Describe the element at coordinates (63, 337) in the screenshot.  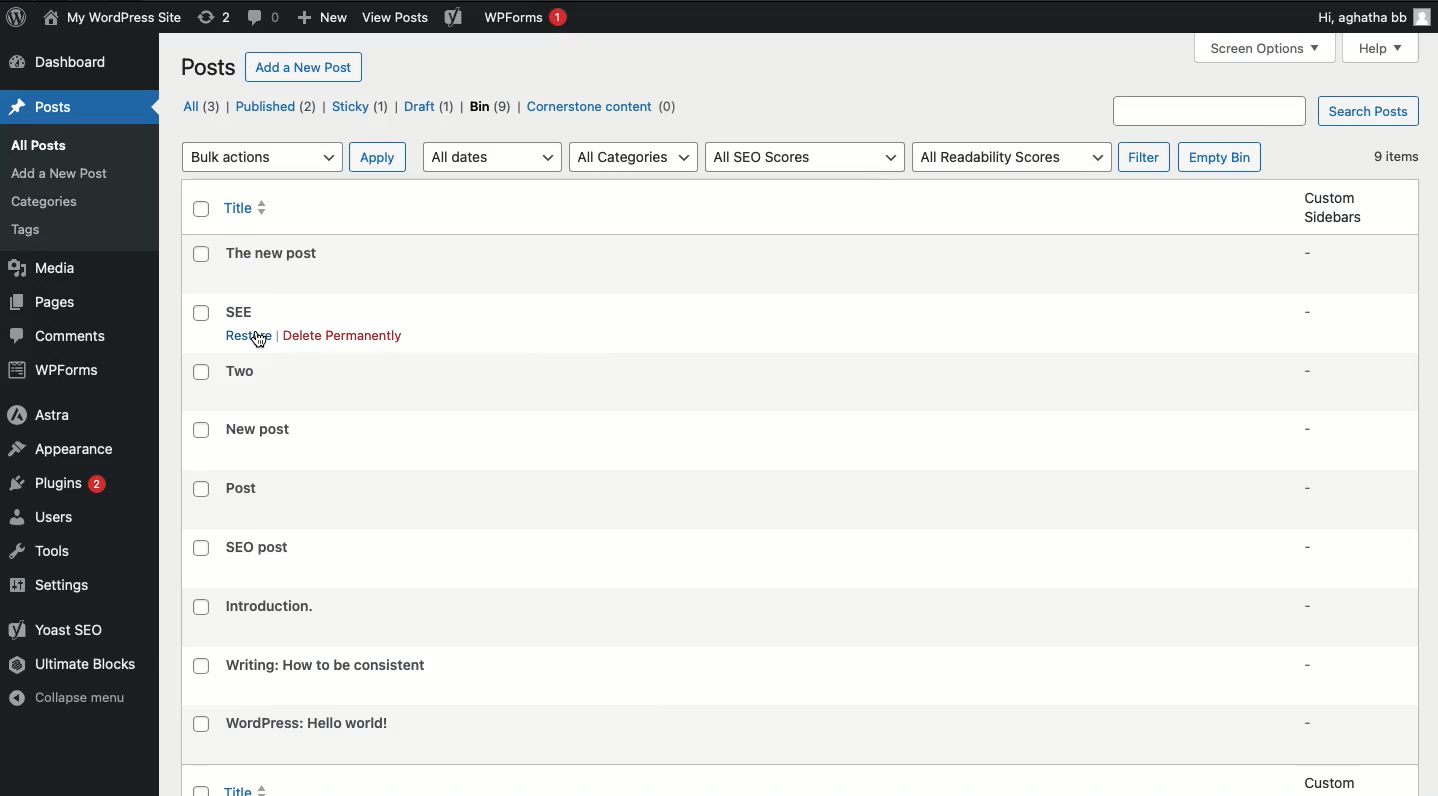
I see `Comments` at that location.